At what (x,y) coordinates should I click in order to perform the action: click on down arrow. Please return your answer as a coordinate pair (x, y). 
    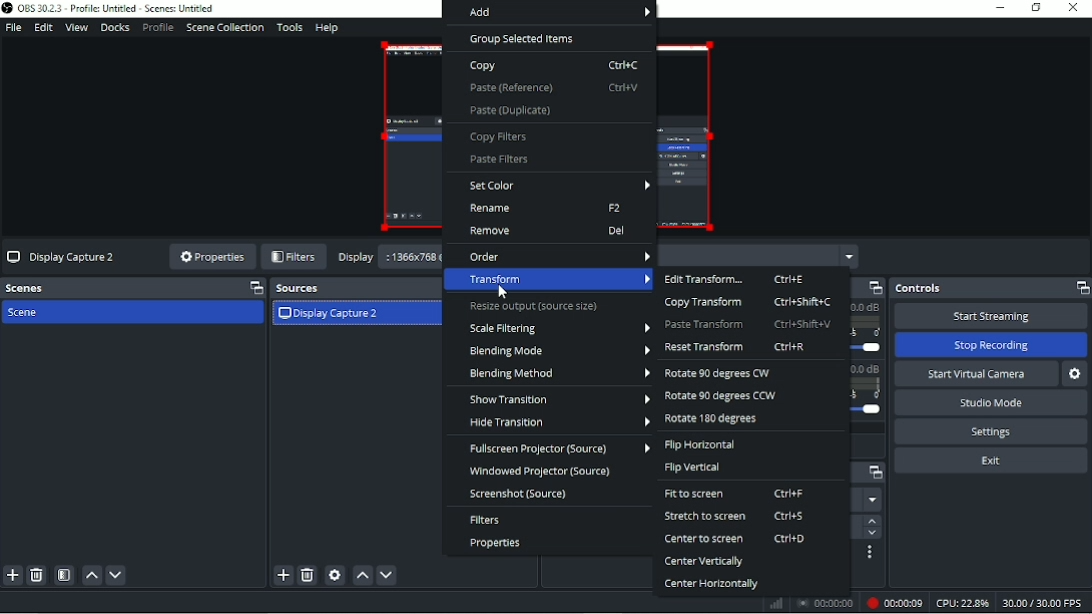
    Looking at the image, I should click on (871, 534).